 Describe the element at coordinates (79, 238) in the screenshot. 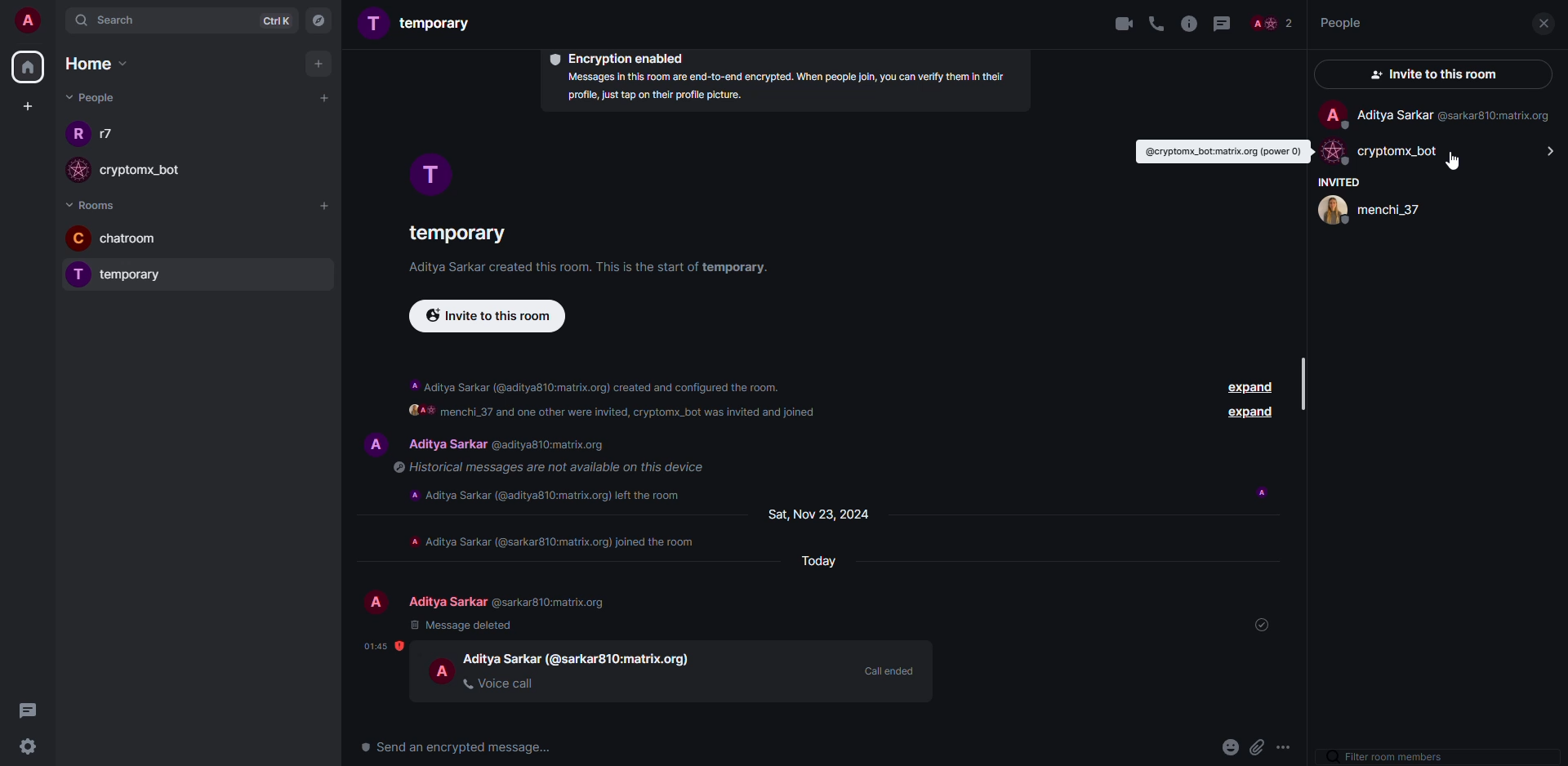

I see `profile` at that location.